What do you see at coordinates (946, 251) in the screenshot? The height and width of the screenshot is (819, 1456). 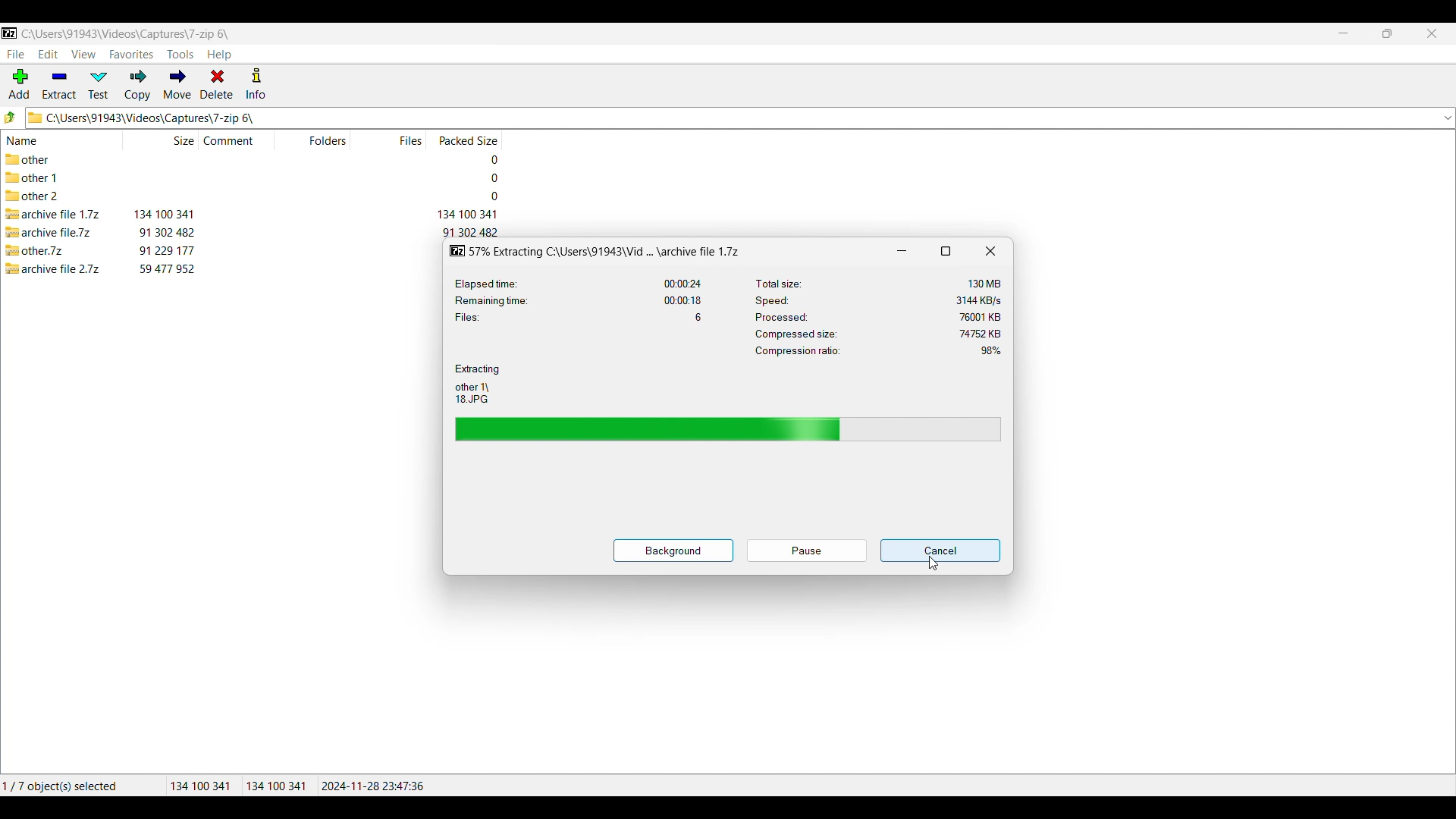 I see `Show window in a smaller tab` at bounding box center [946, 251].